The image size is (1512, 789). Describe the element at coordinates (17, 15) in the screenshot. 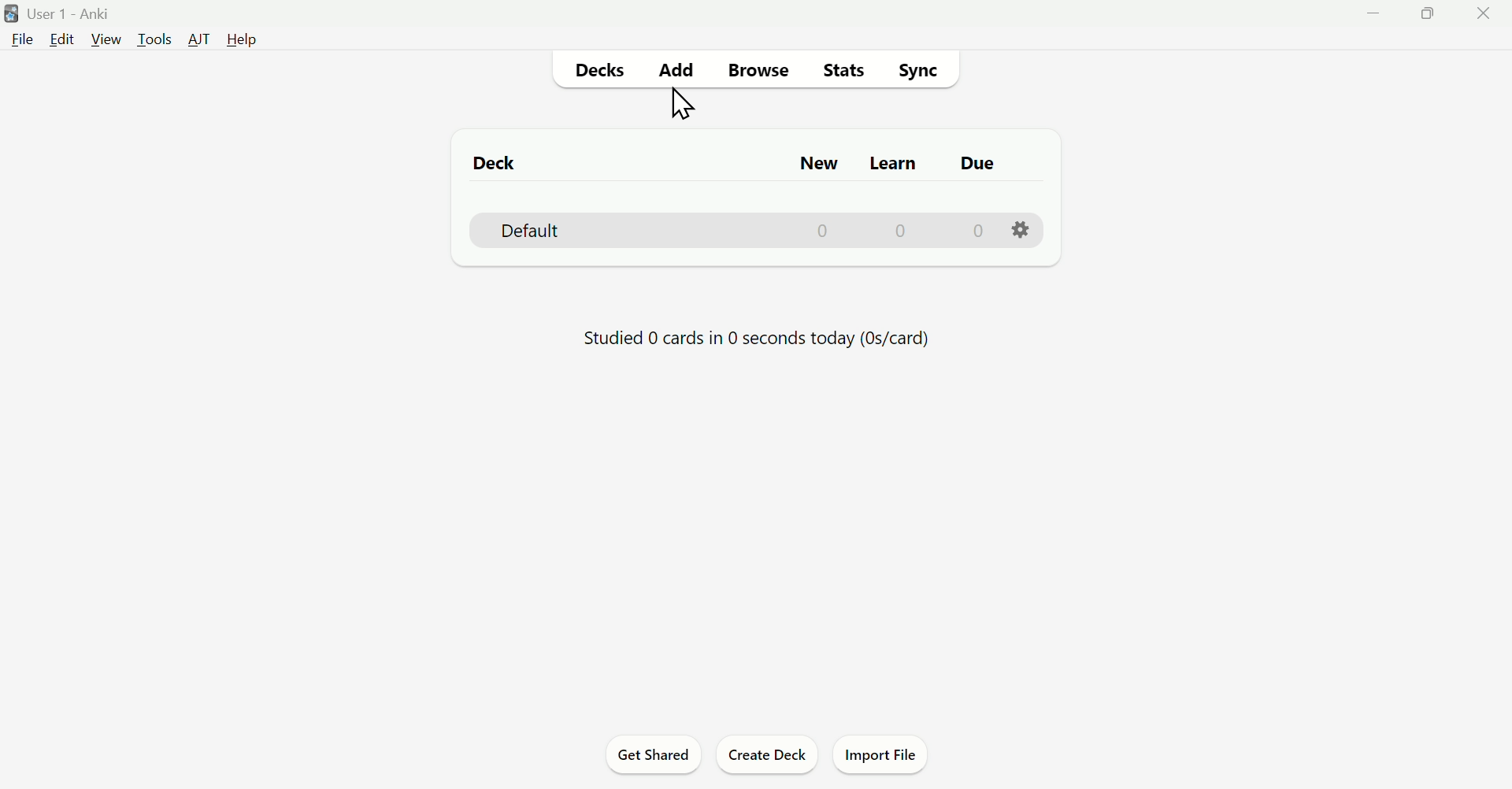

I see `logo` at that location.